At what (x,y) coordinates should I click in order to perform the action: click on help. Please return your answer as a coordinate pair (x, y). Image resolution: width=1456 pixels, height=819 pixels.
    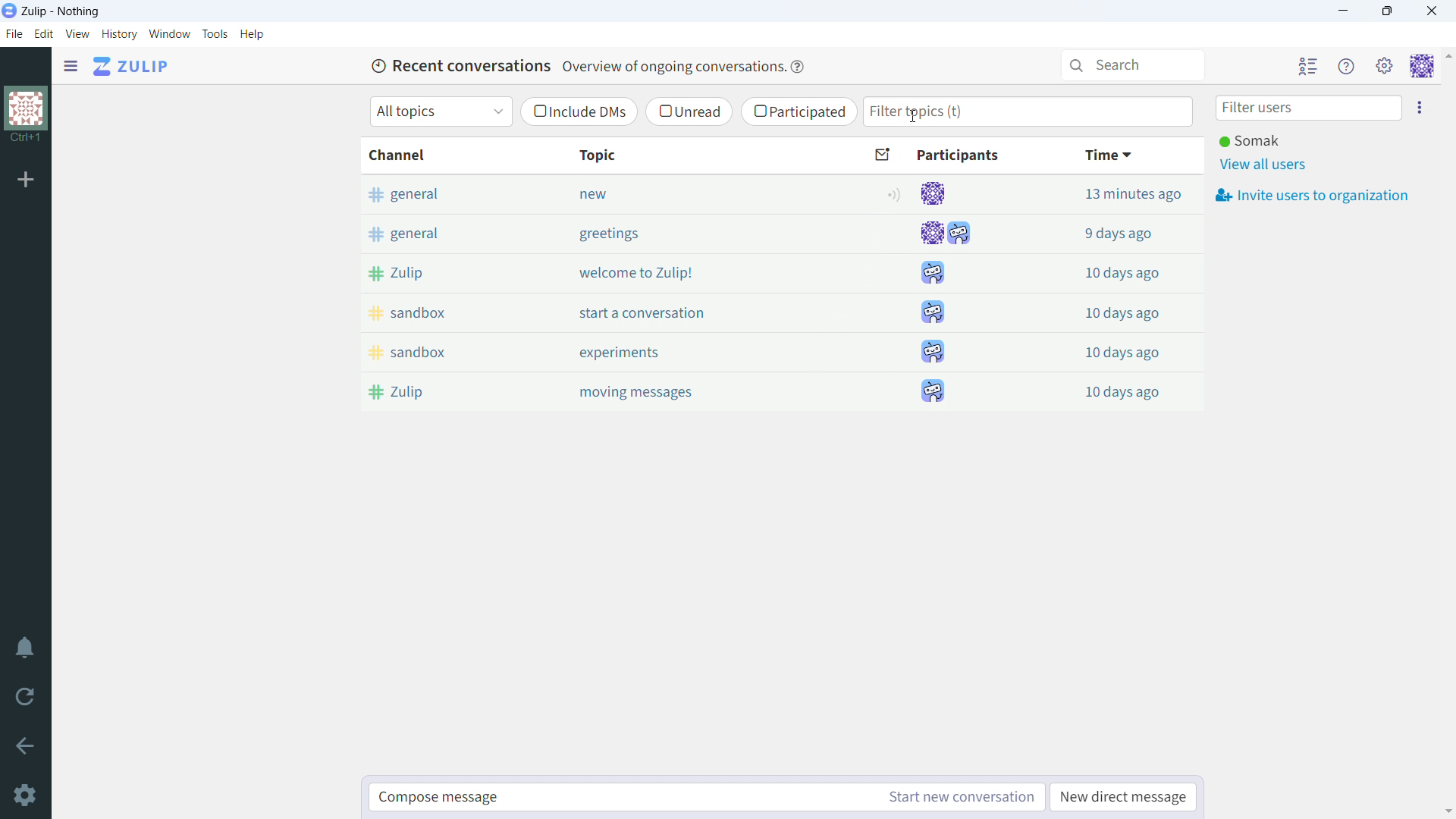
    Looking at the image, I should click on (798, 67).